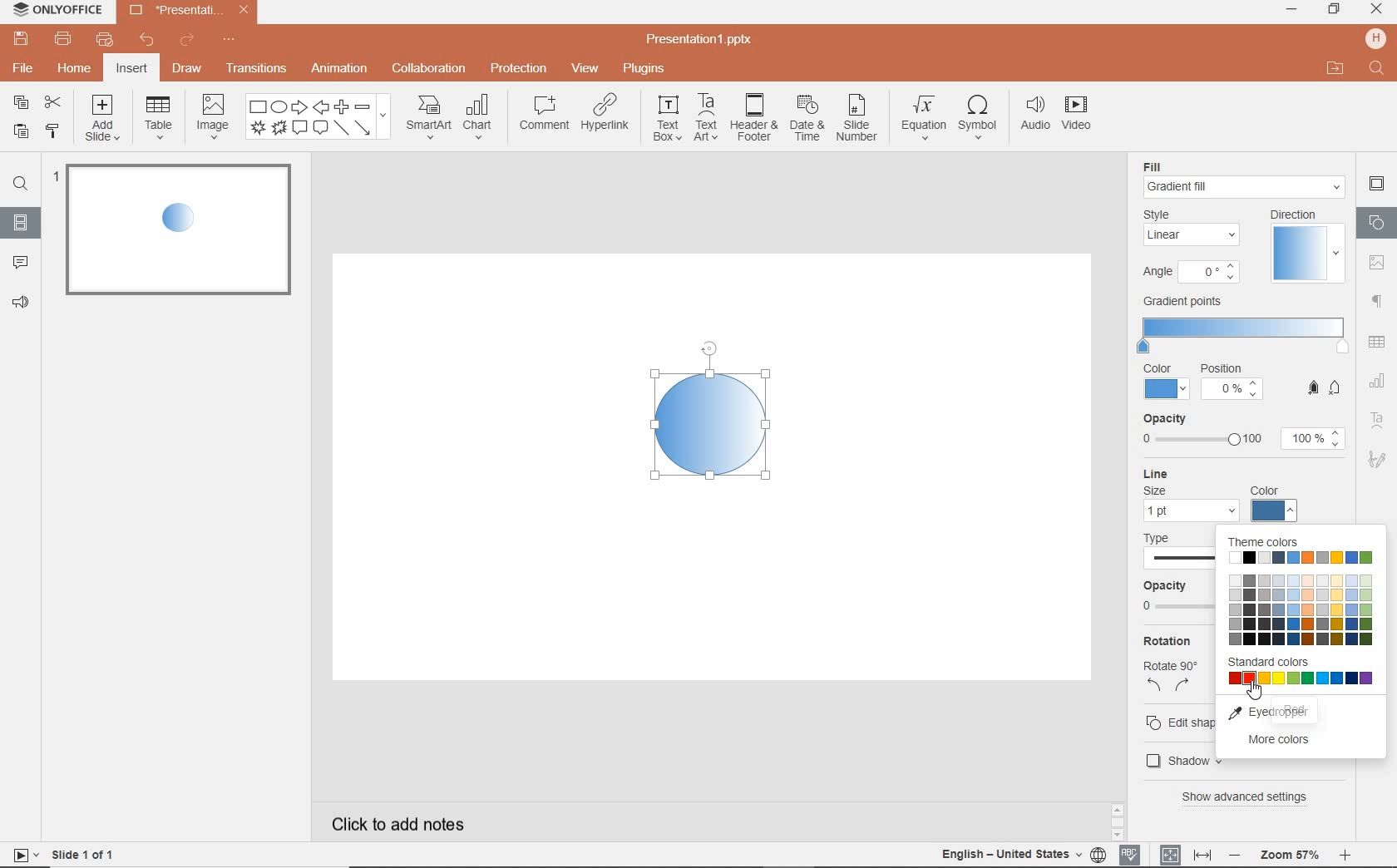 This screenshot has width=1397, height=868. Describe the element at coordinates (1256, 695) in the screenshot. I see `mouse pointer` at that location.